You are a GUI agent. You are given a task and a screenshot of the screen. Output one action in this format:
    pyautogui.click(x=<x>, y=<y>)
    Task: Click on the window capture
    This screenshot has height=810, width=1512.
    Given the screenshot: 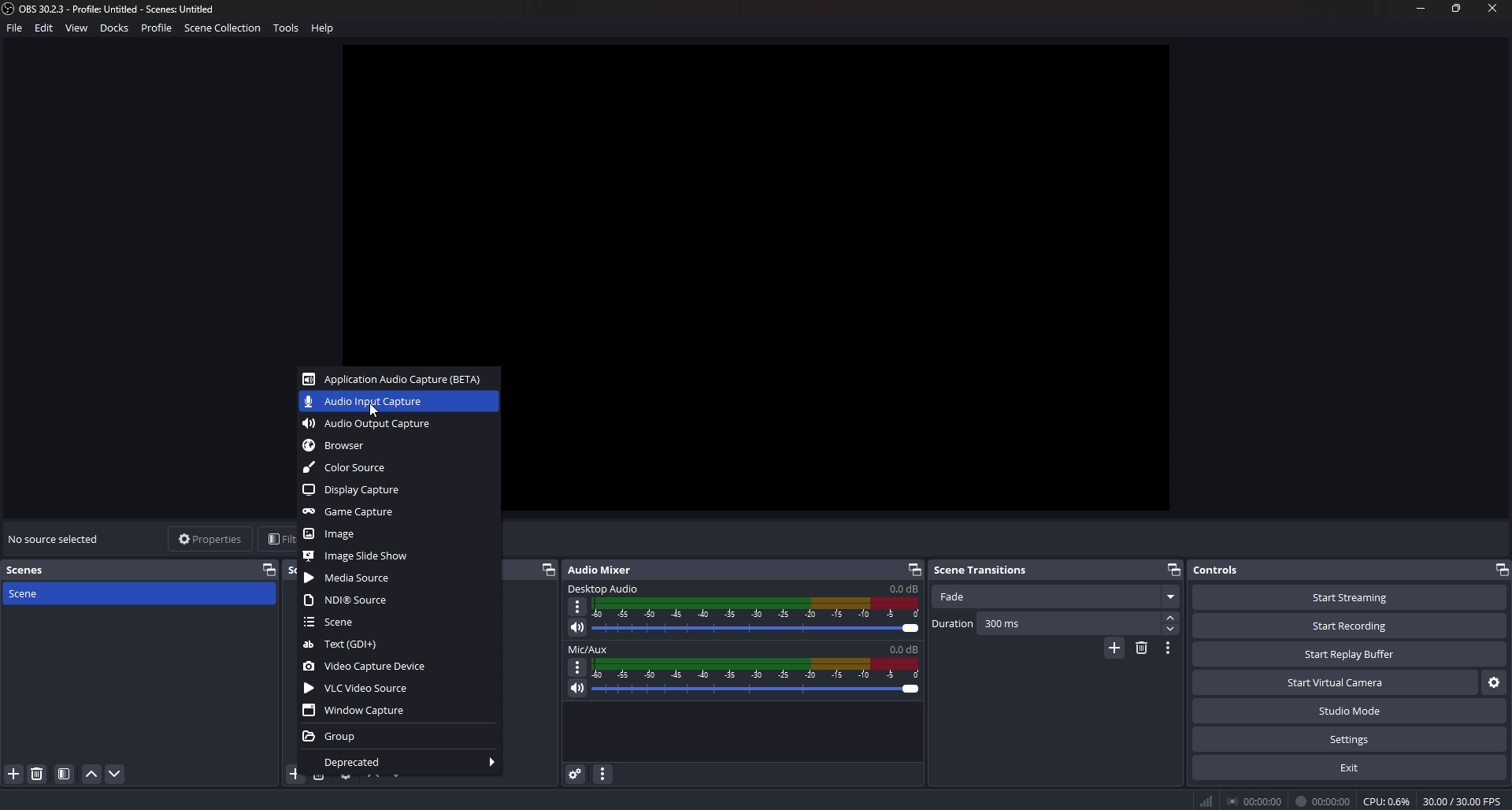 What is the action you would take?
    pyautogui.click(x=401, y=711)
    